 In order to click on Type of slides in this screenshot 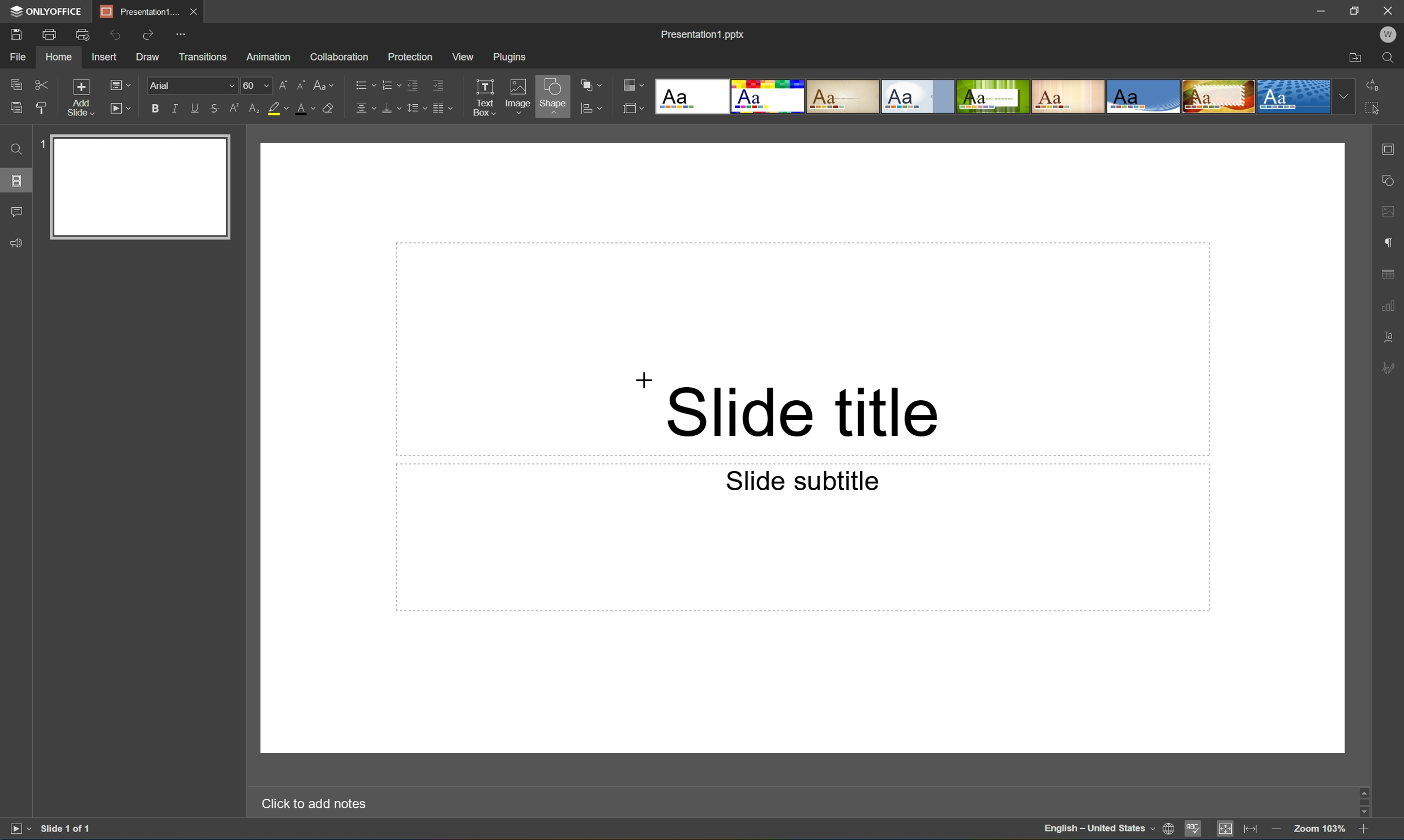, I will do `click(1003, 97)`.